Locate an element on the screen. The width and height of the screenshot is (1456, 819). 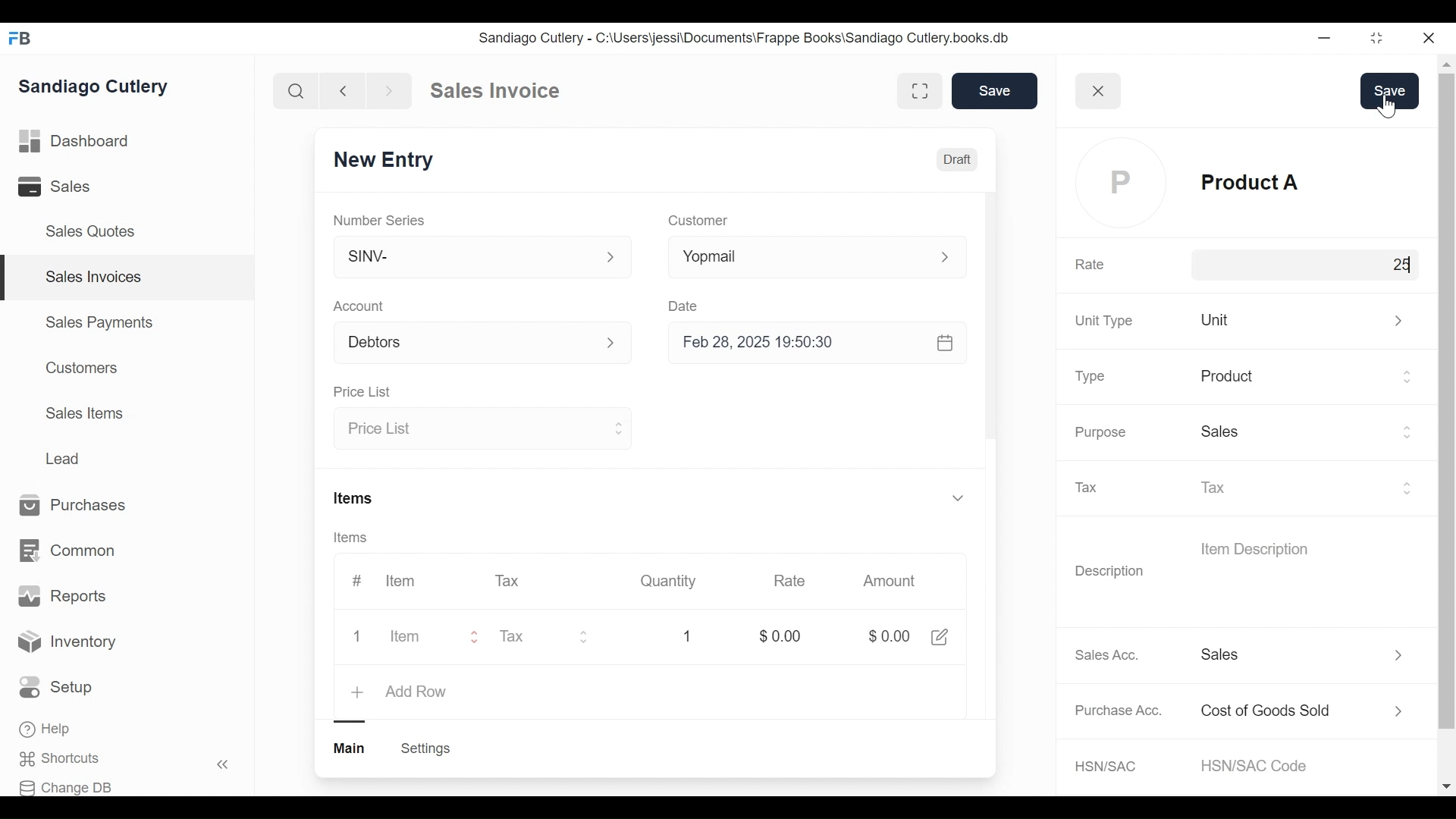
Setup is located at coordinates (56, 687).